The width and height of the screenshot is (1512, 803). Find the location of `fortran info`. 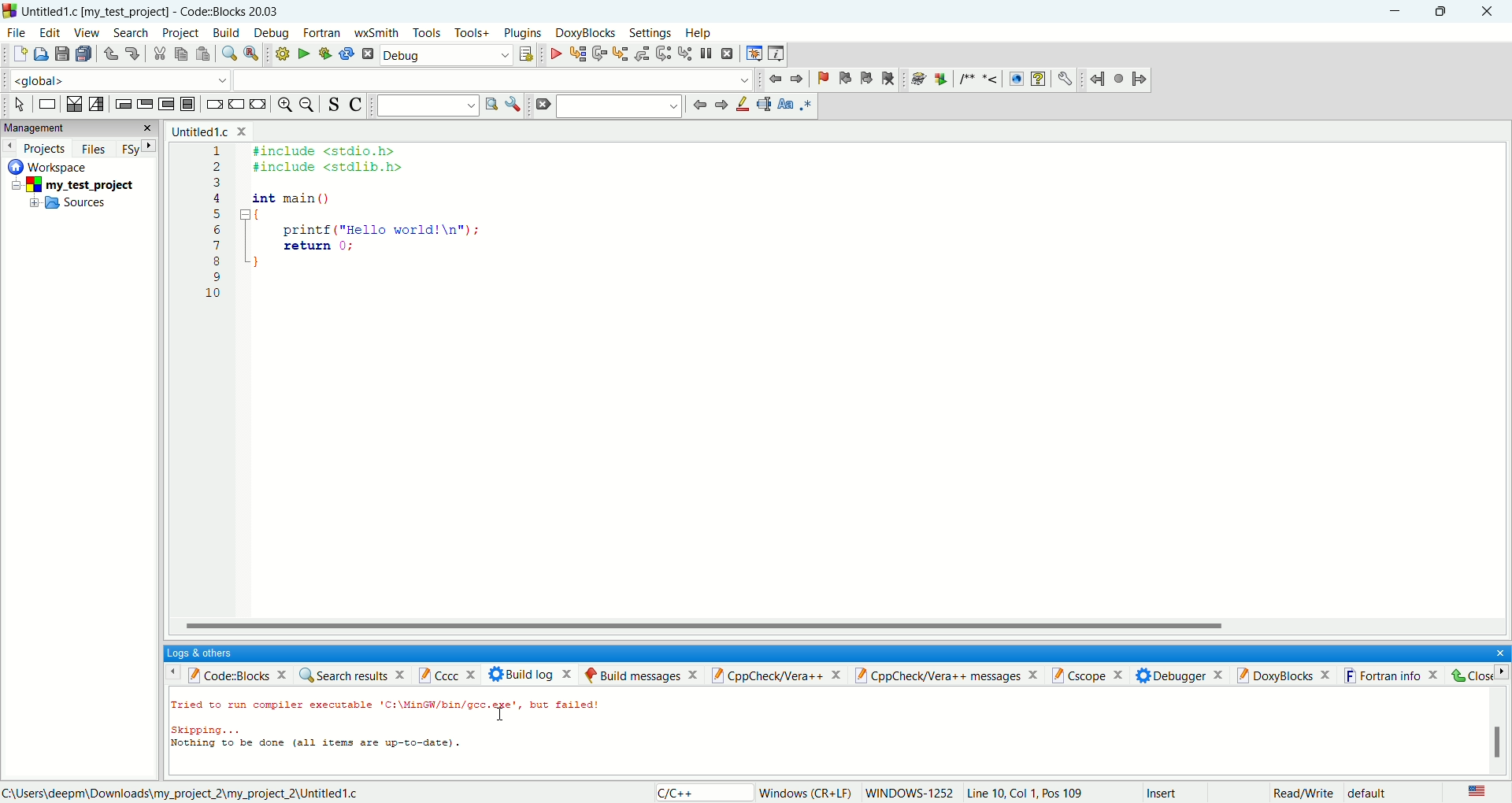

fortran info is located at coordinates (1396, 675).